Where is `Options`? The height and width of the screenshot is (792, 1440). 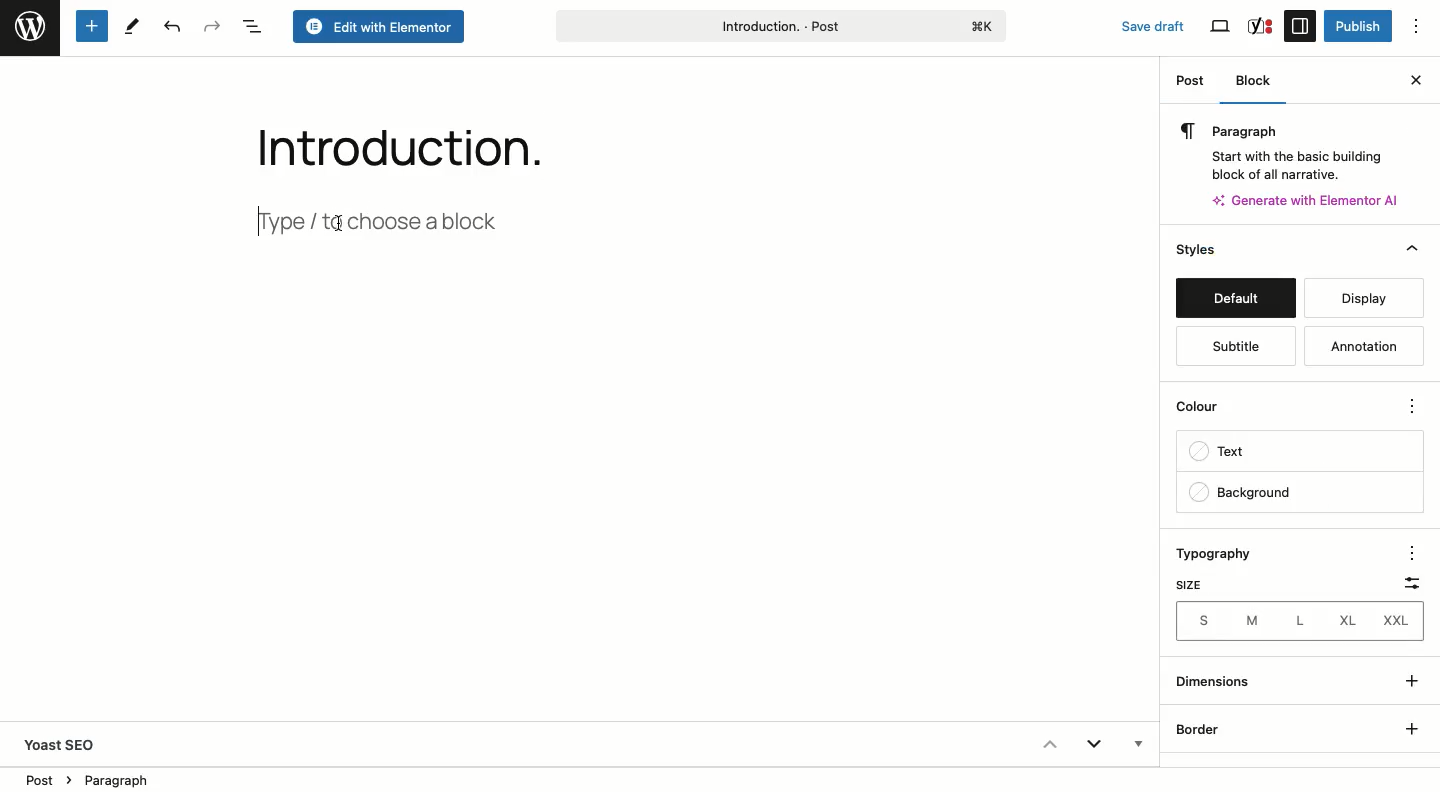 Options is located at coordinates (1411, 408).